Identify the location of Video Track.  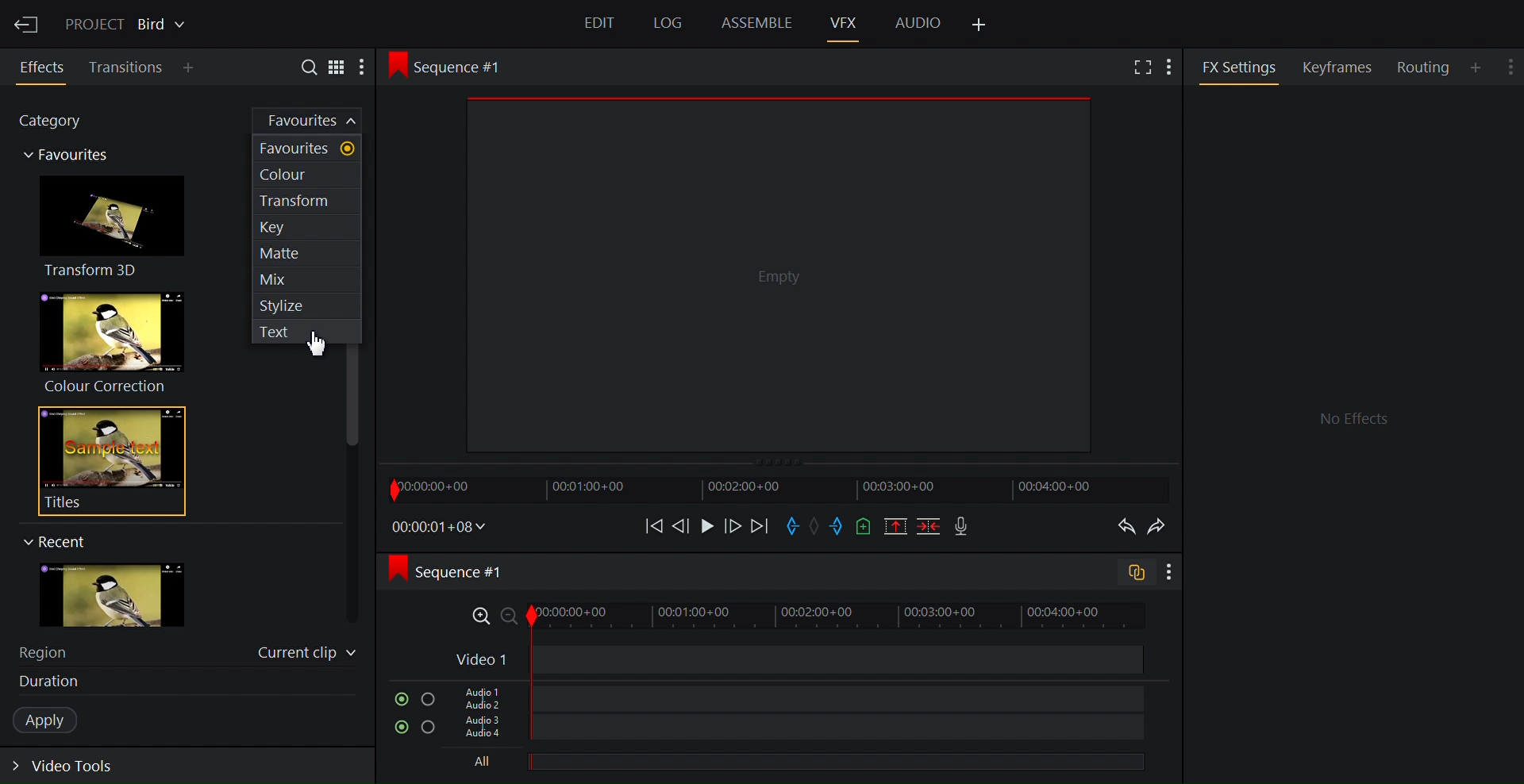
(792, 661).